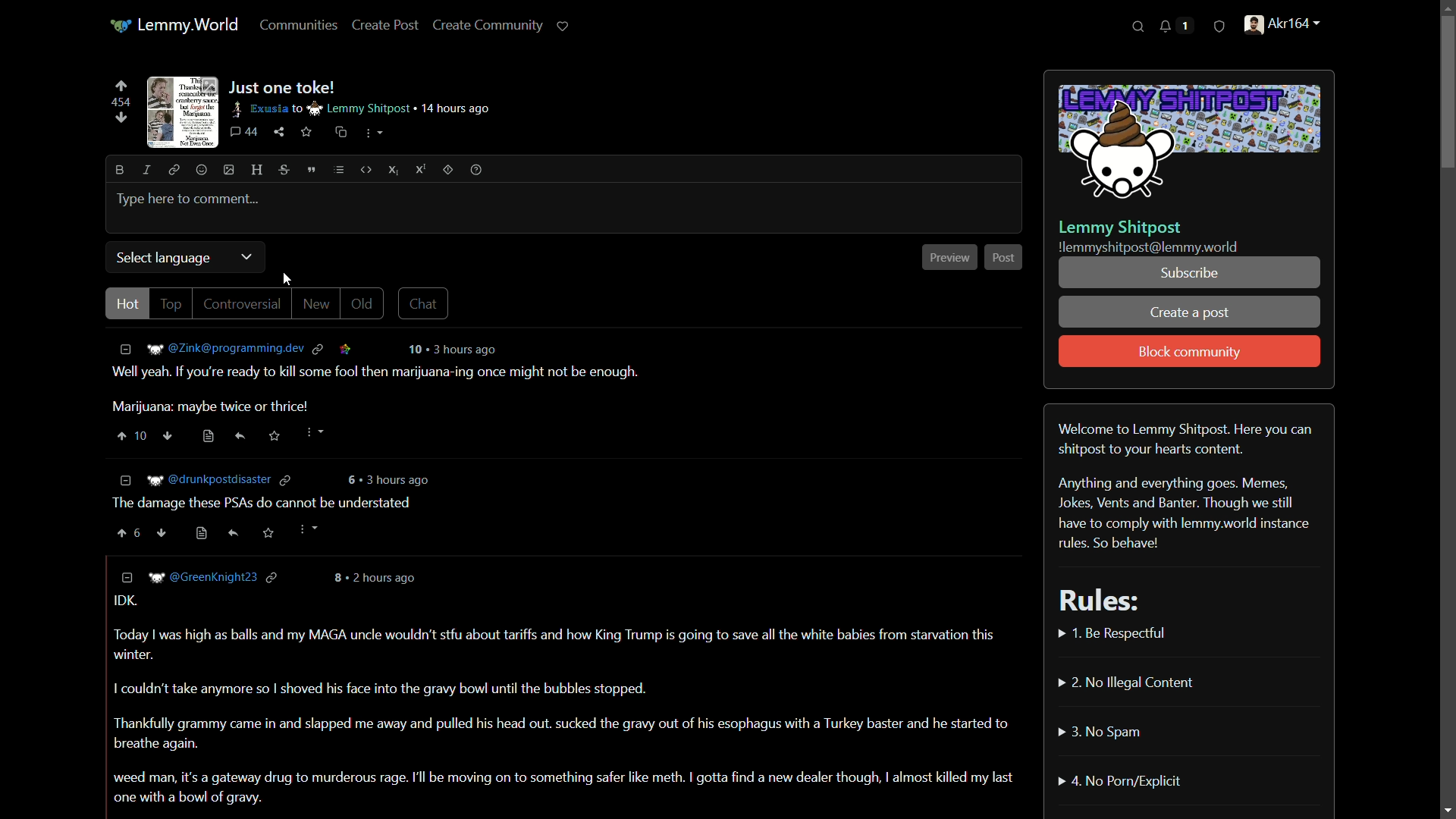 The height and width of the screenshot is (819, 1456). Describe the element at coordinates (202, 577) in the screenshot. I see `@GreenKnight23` at that location.